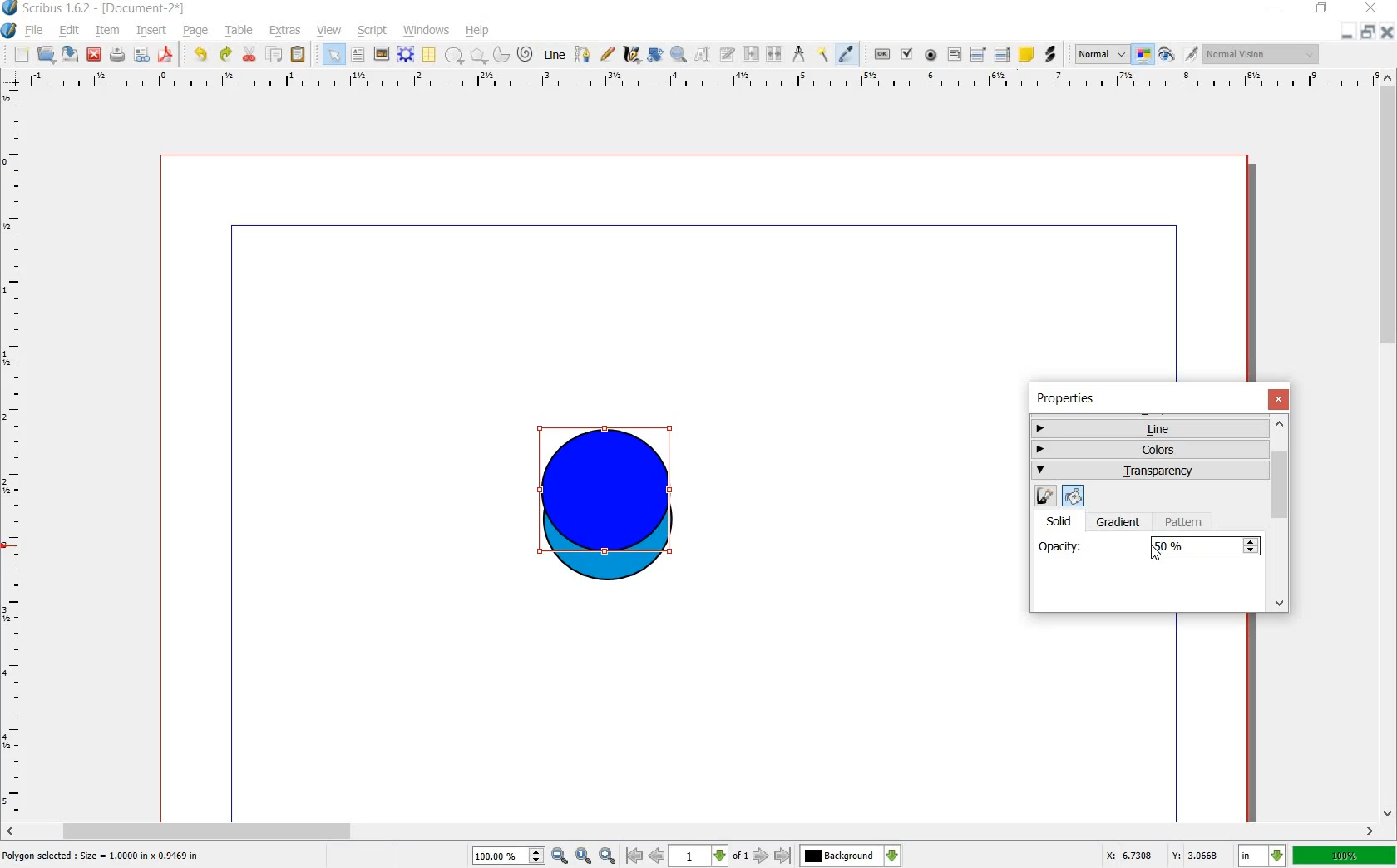 This screenshot has width=1397, height=868. I want to click on 100%, so click(1194, 546).